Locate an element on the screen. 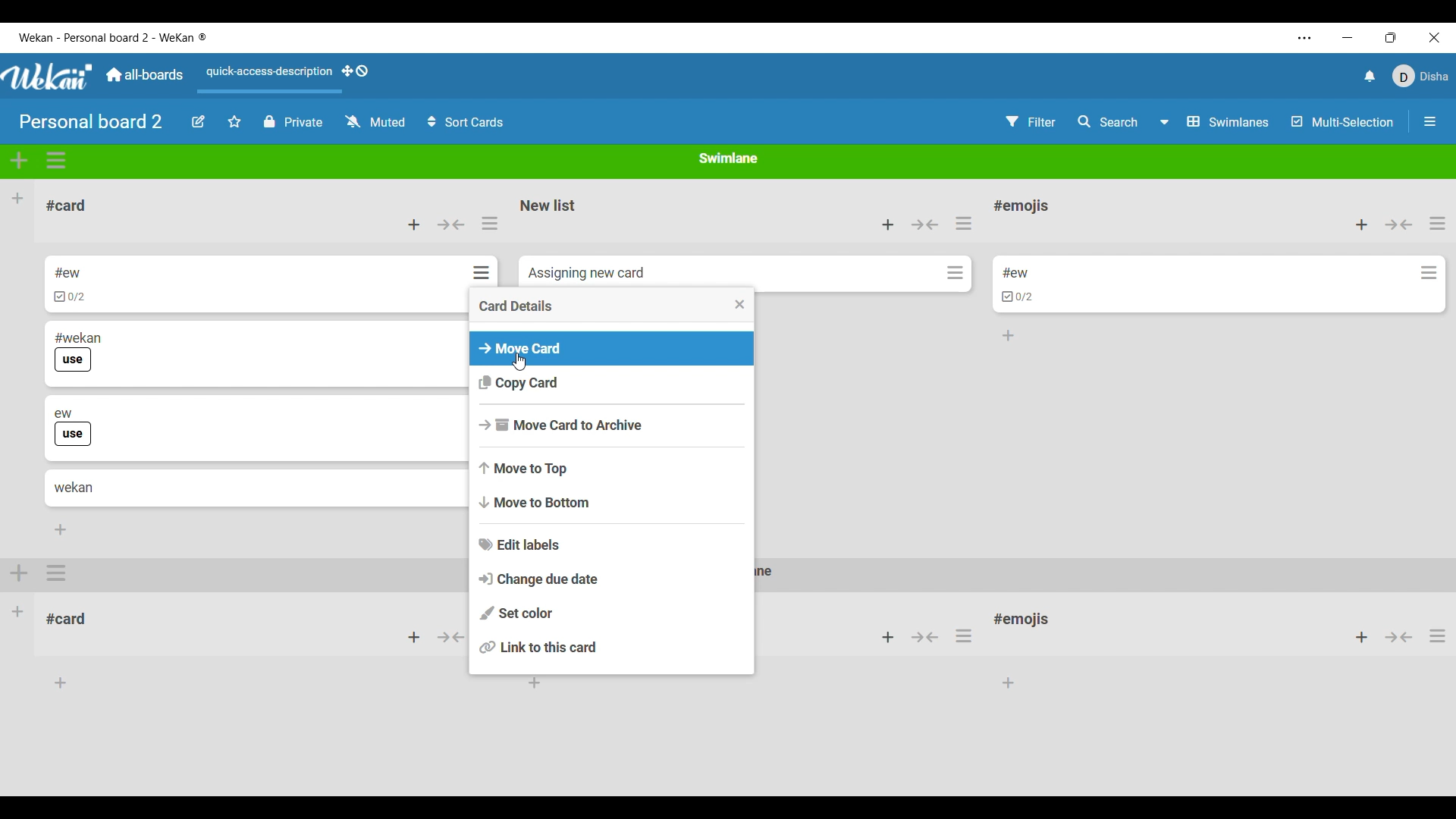  List title is located at coordinates (67, 206).